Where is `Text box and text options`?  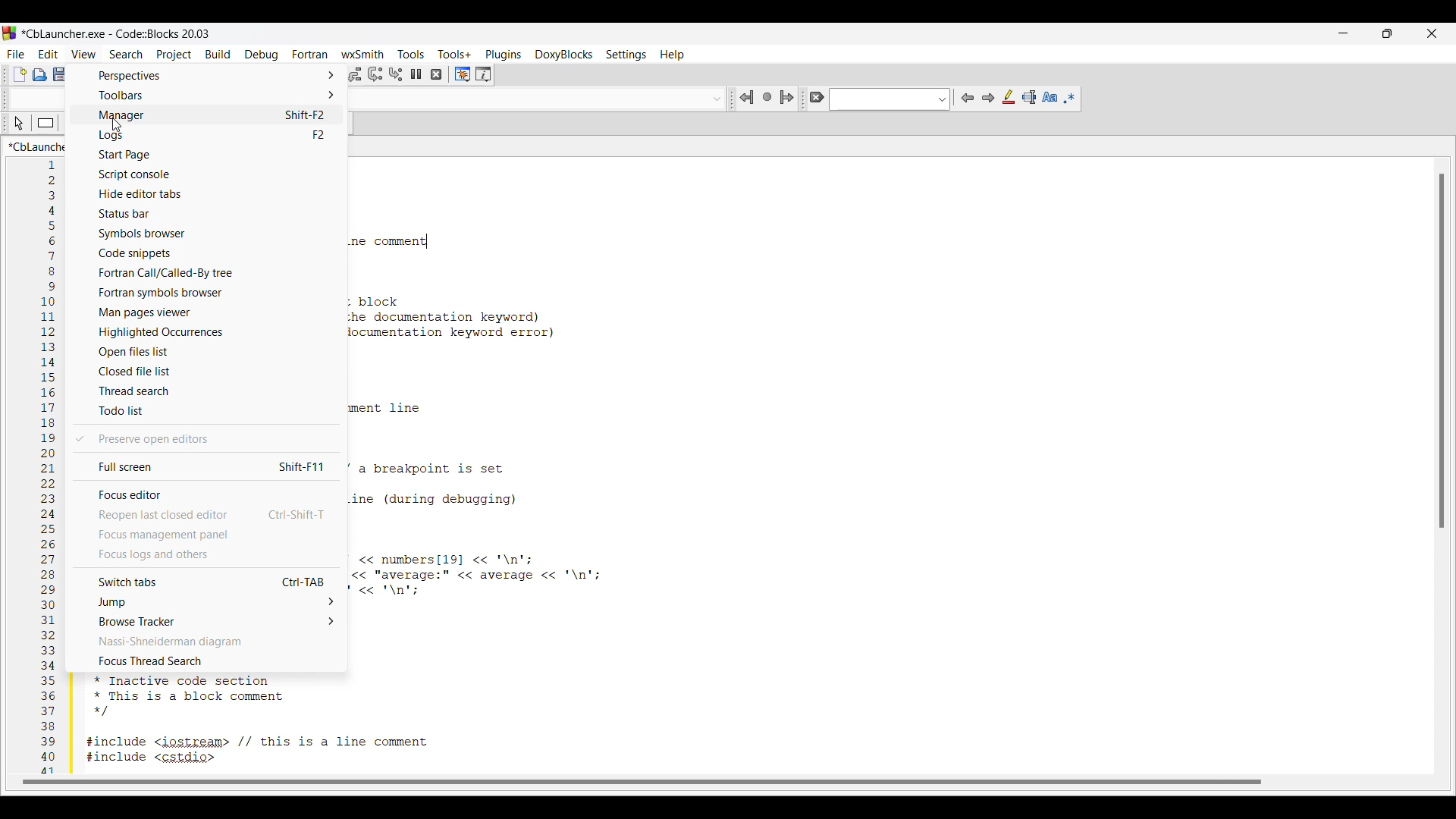
Text box and text options is located at coordinates (890, 99).